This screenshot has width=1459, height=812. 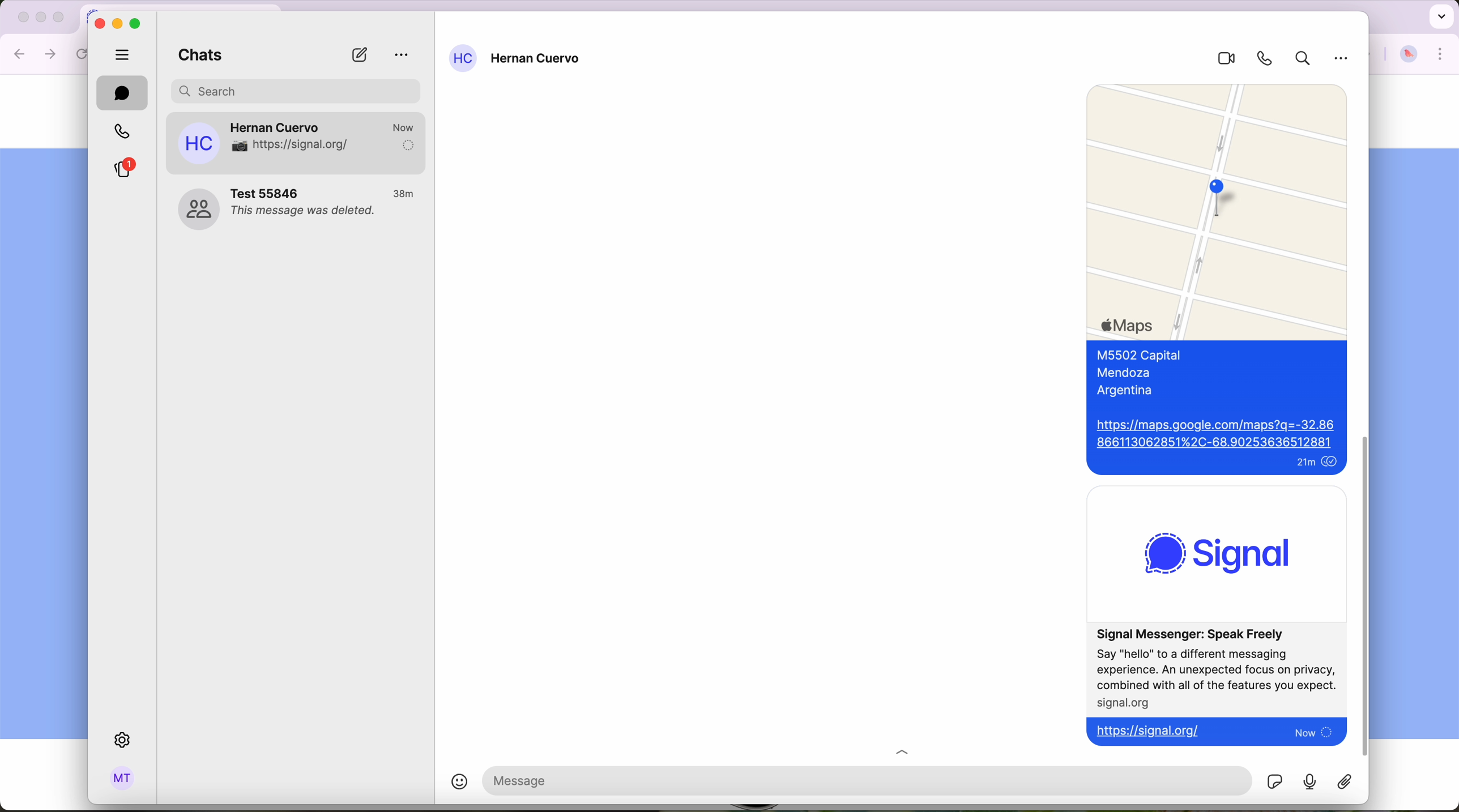 I want to click on search bar, so click(x=297, y=89).